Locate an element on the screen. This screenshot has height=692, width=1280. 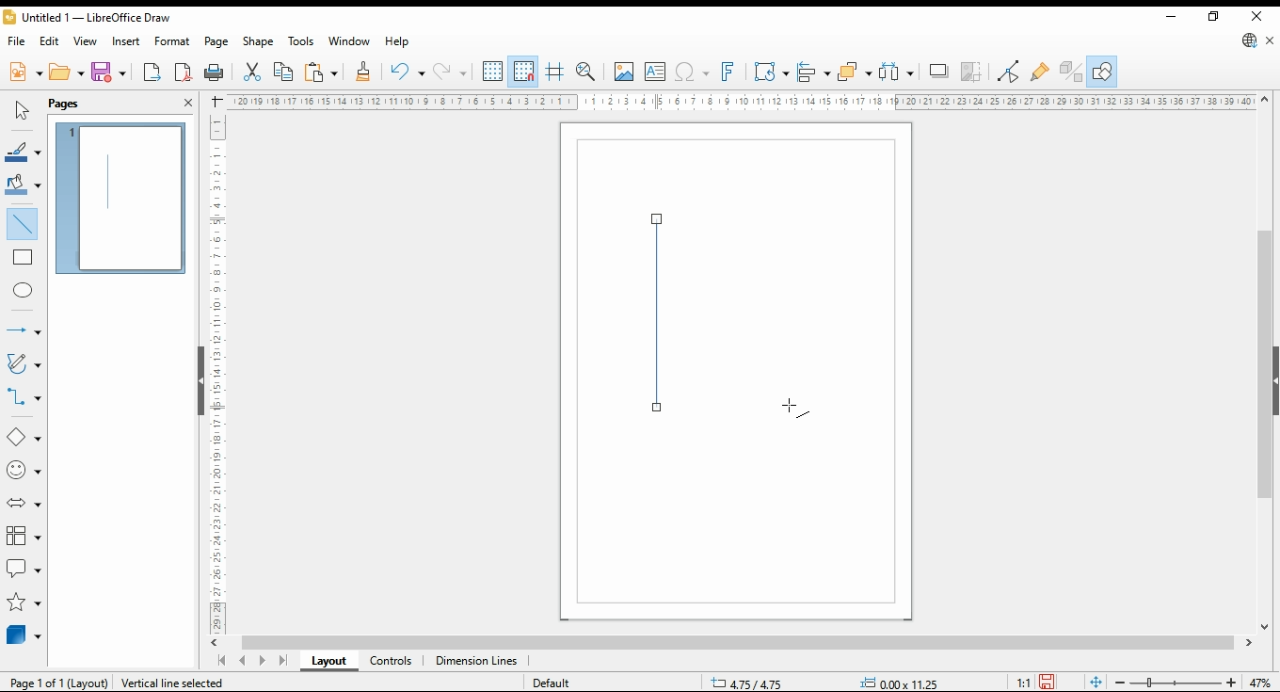
connectors is located at coordinates (24, 397).